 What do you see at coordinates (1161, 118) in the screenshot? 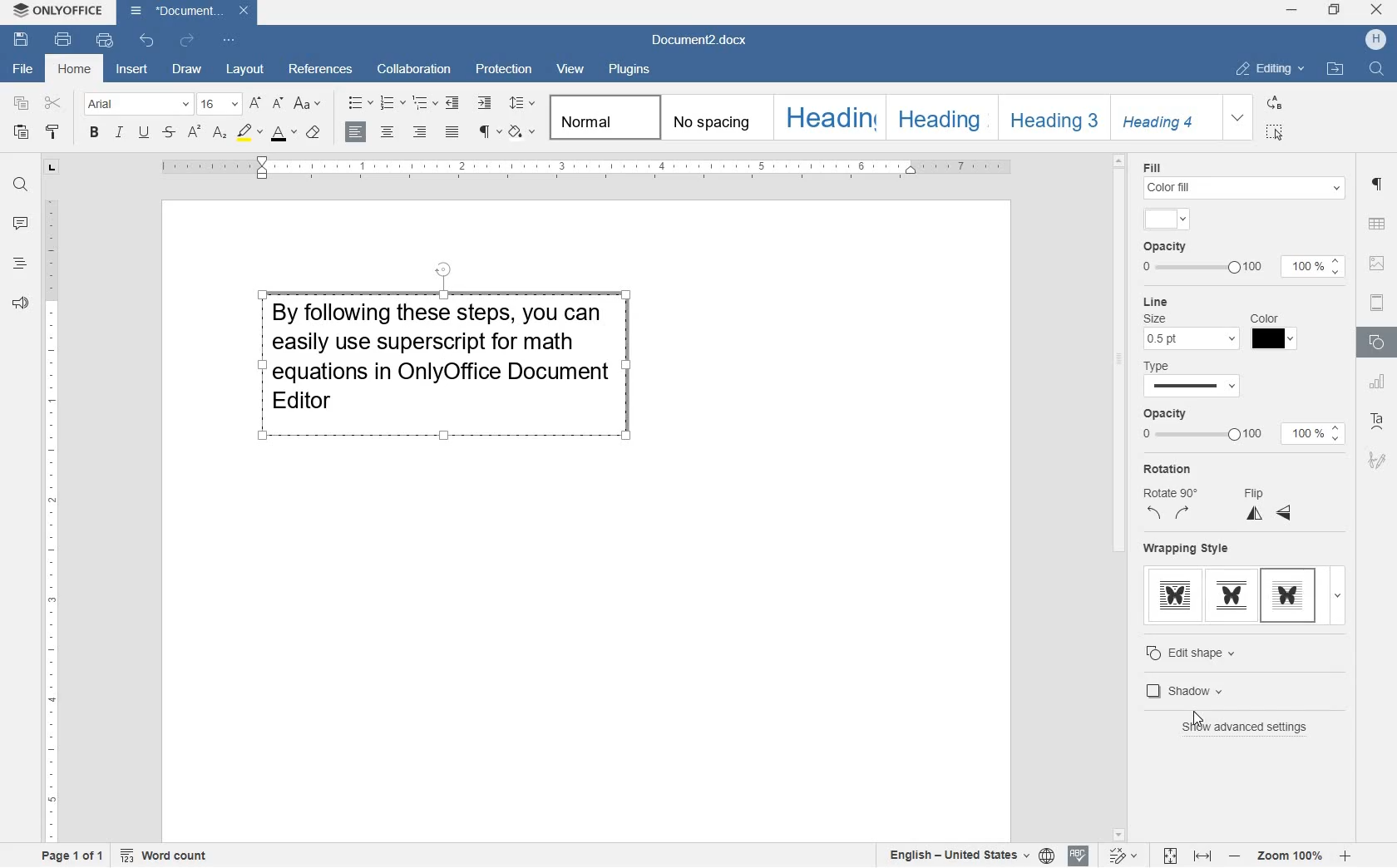
I see `HEADING 4` at bounding box center [1161, 118].